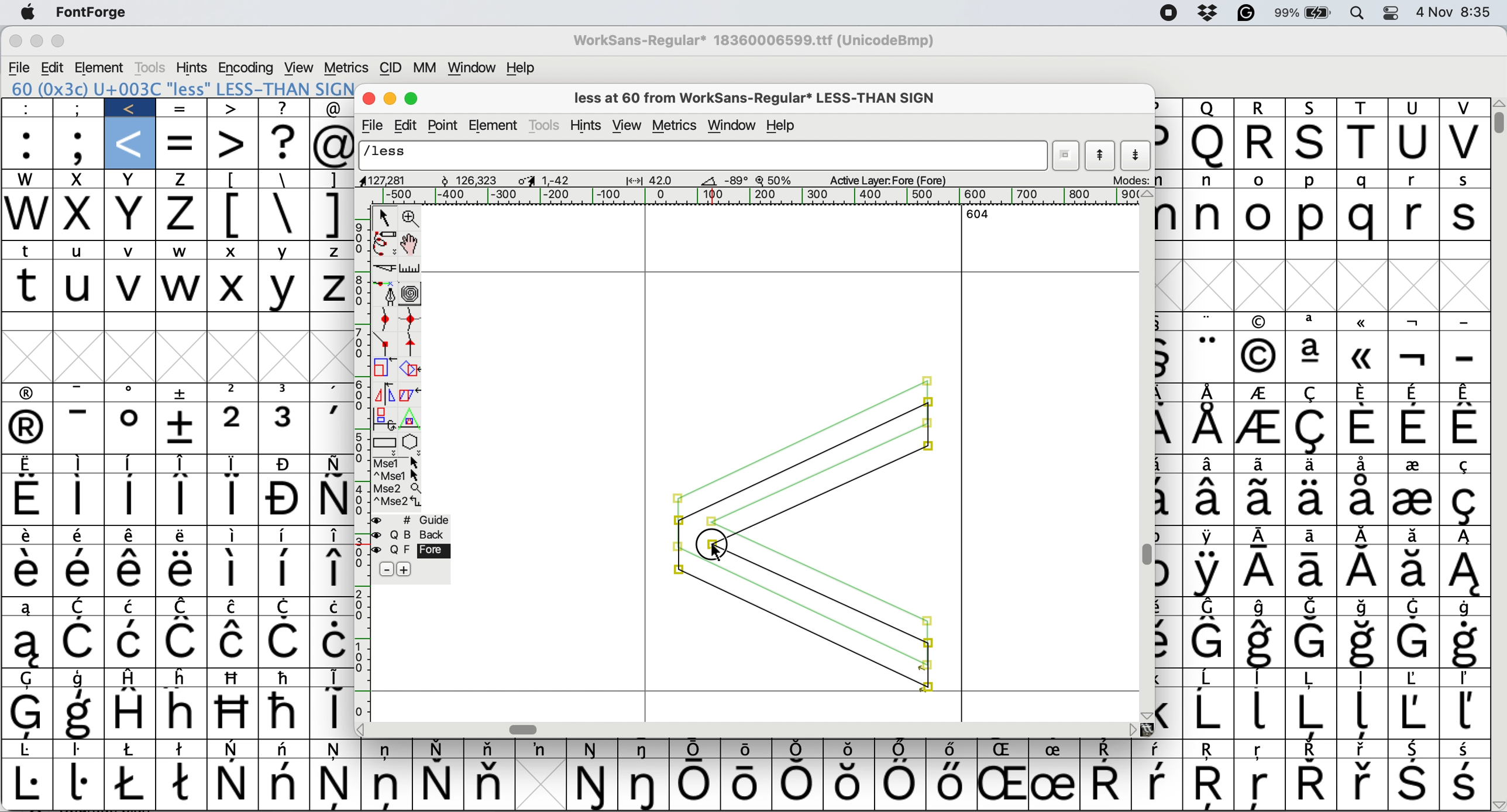 The image size is (1507, 812). I want to click on 2, so click(234, 428).